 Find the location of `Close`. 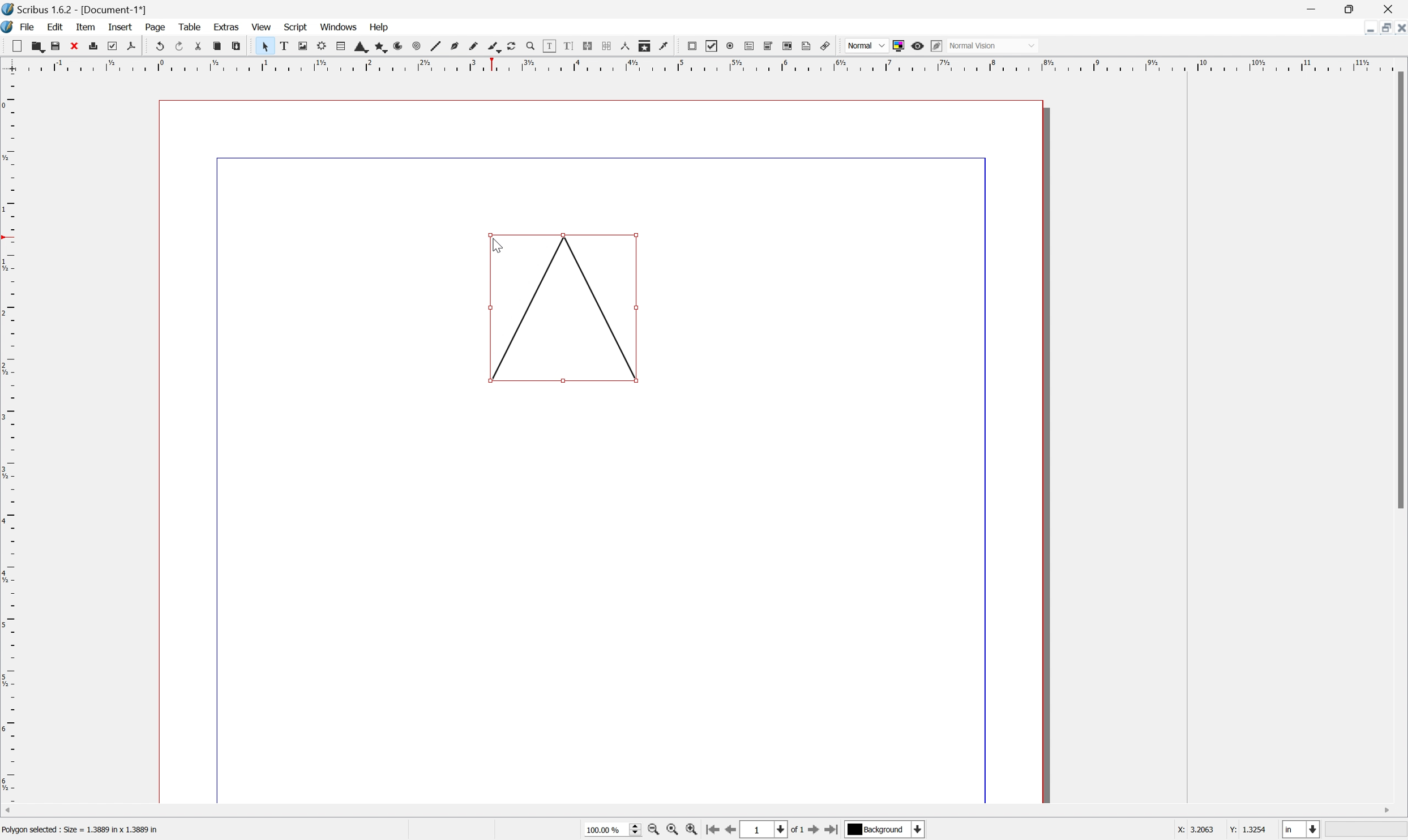

Close is located at coordinates (75, 45).